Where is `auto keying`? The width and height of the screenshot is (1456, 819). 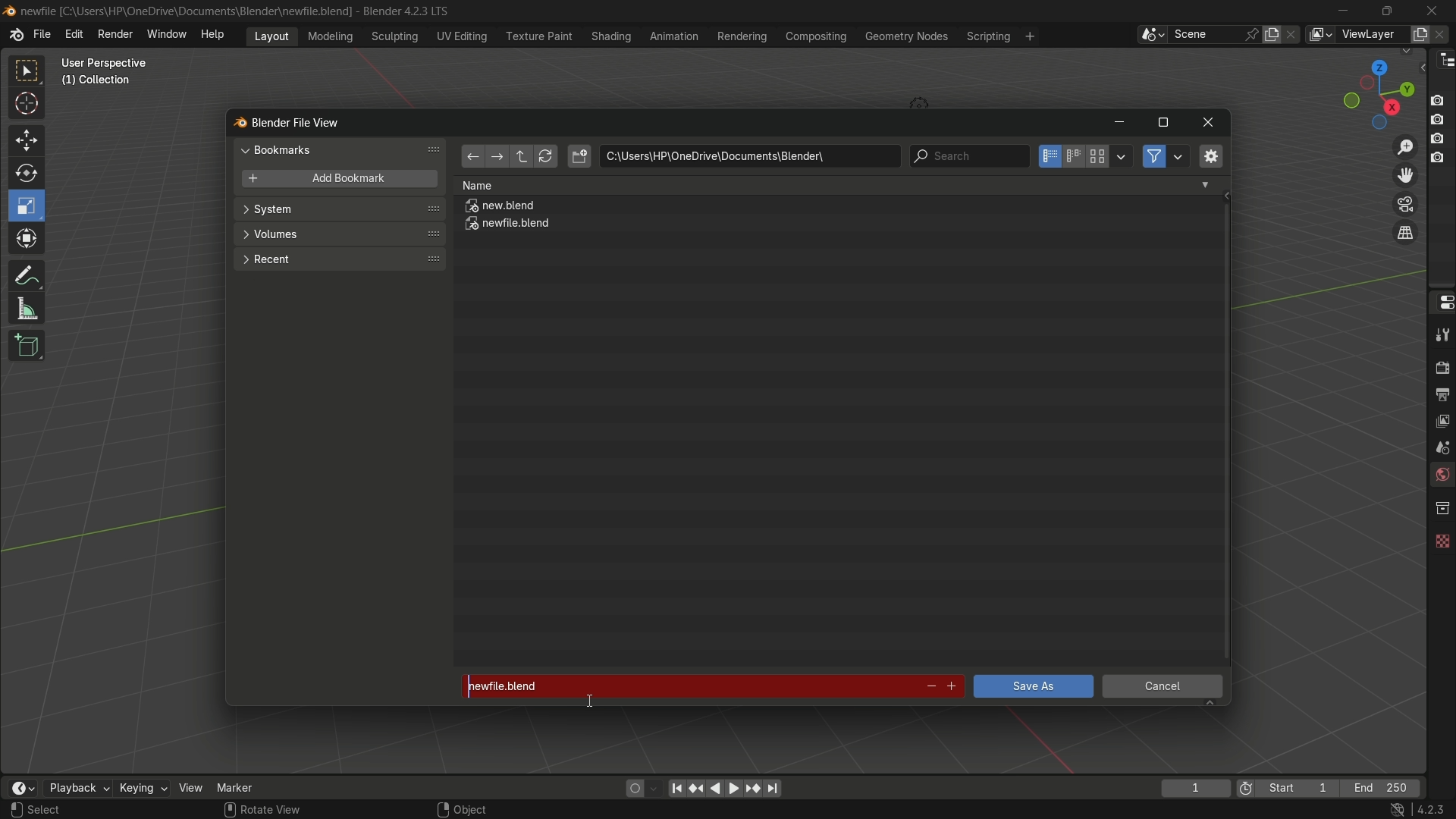
auto keying is located at coordinates (631, 787).